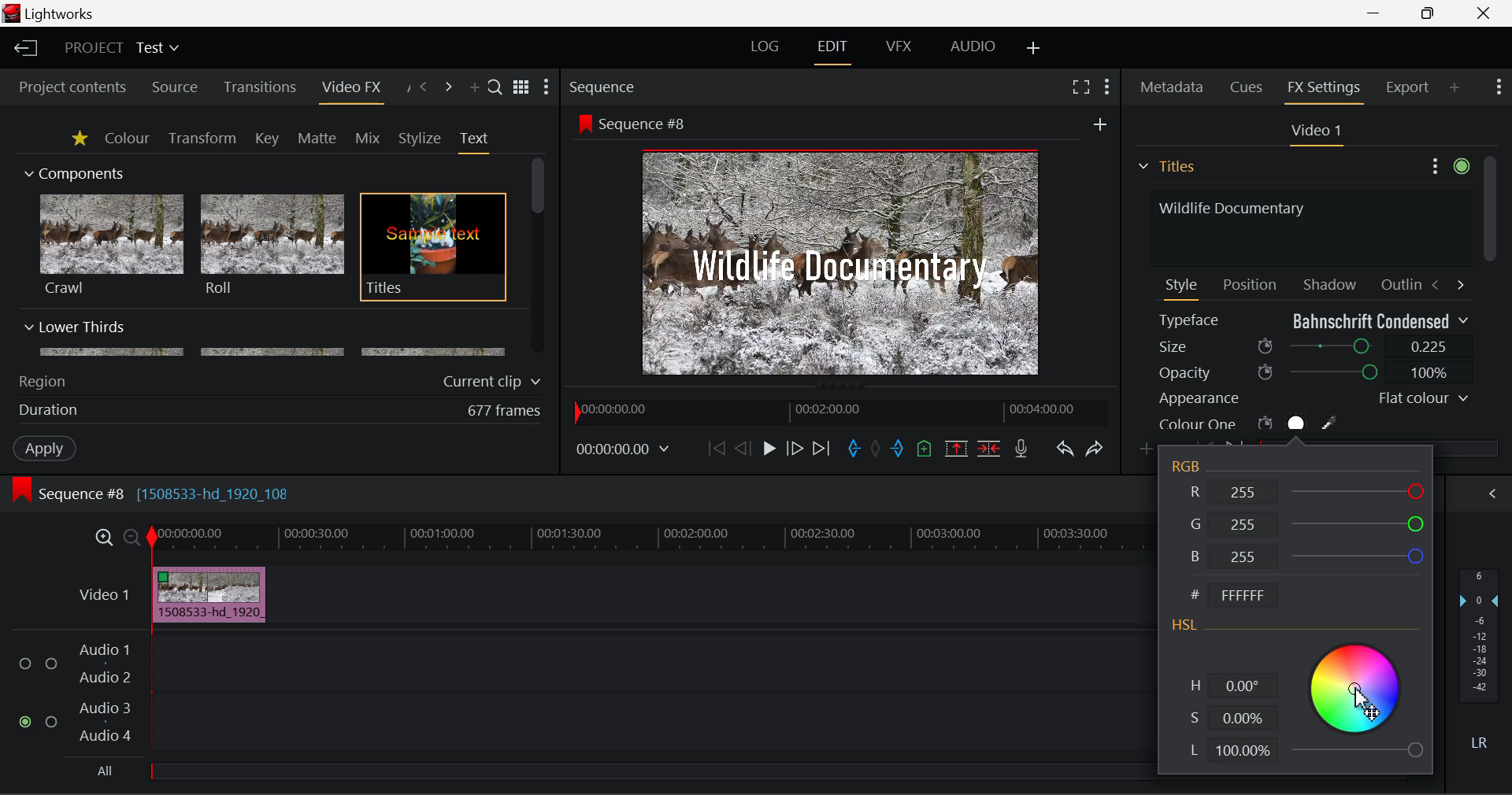  What do you see at coordinates (421, 139) in the screenshot?
I see `Stylize` at bounding box center [421, 139].